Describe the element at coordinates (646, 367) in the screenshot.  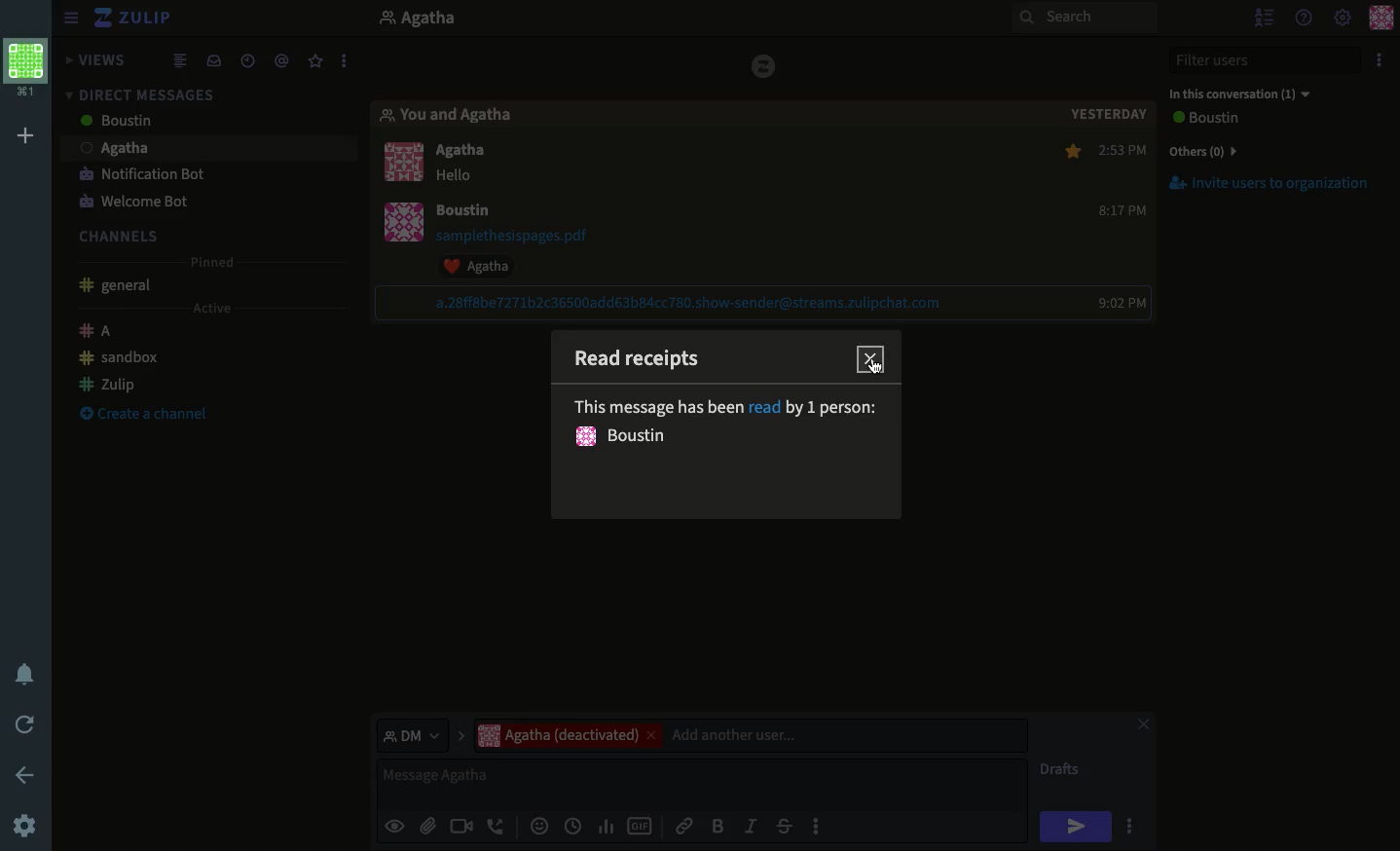
I see `Read receipts` at that location.